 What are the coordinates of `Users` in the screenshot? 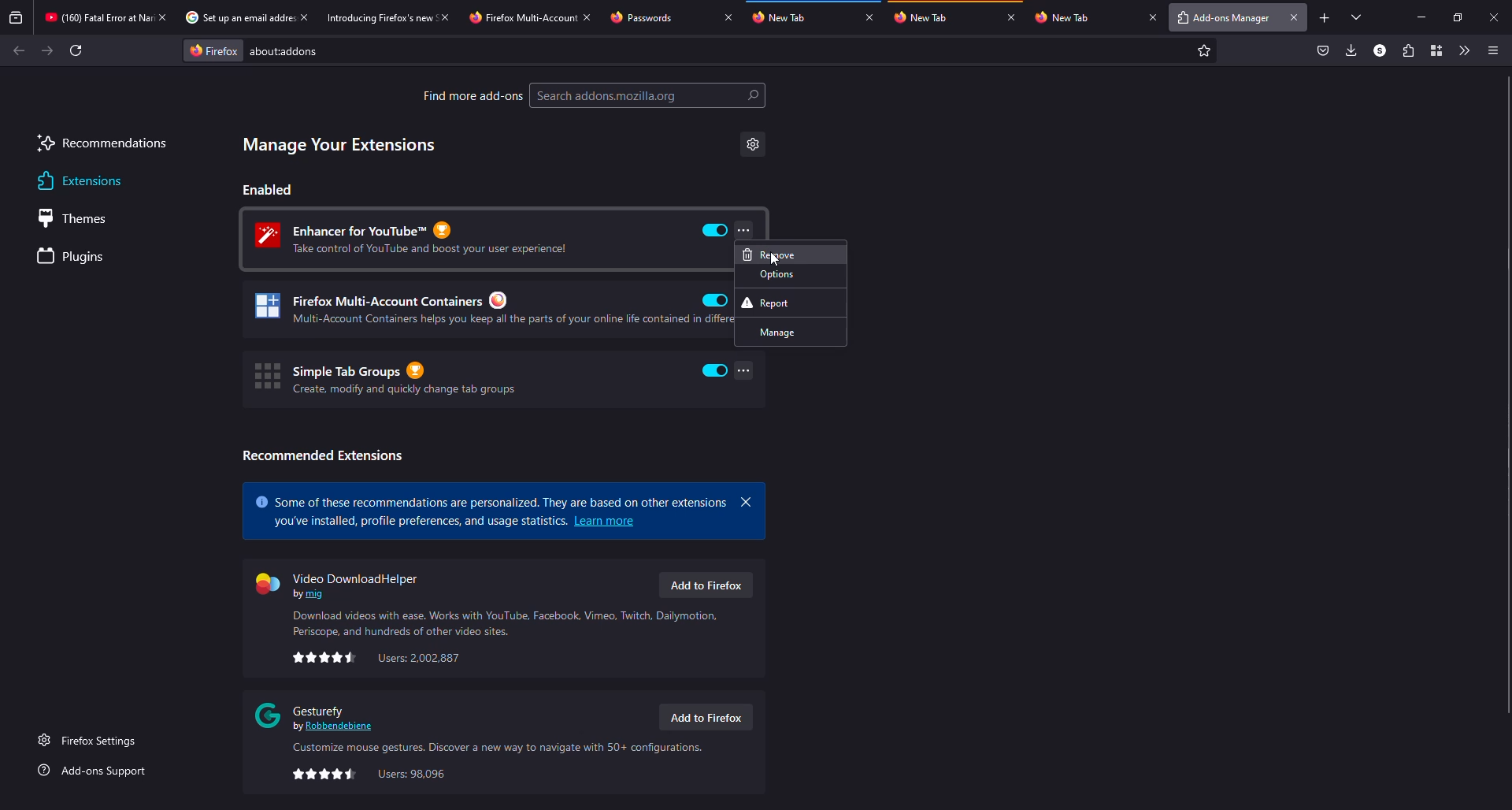 It's located at (412, 775).